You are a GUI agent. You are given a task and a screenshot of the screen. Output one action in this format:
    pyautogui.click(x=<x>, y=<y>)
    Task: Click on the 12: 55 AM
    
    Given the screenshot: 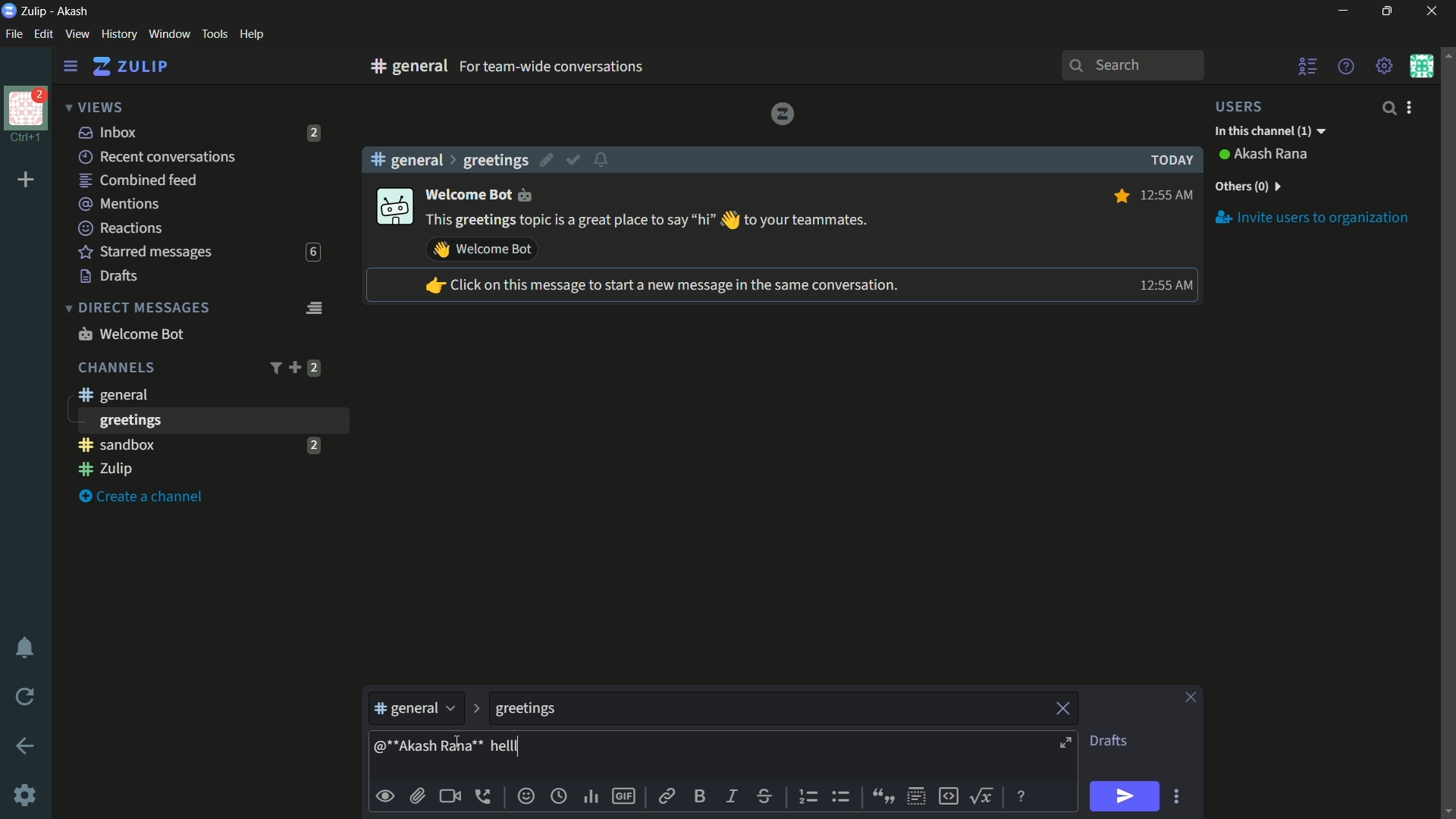 What is the action you would take?
    pyautogui.click(x=1163, y=285)
    